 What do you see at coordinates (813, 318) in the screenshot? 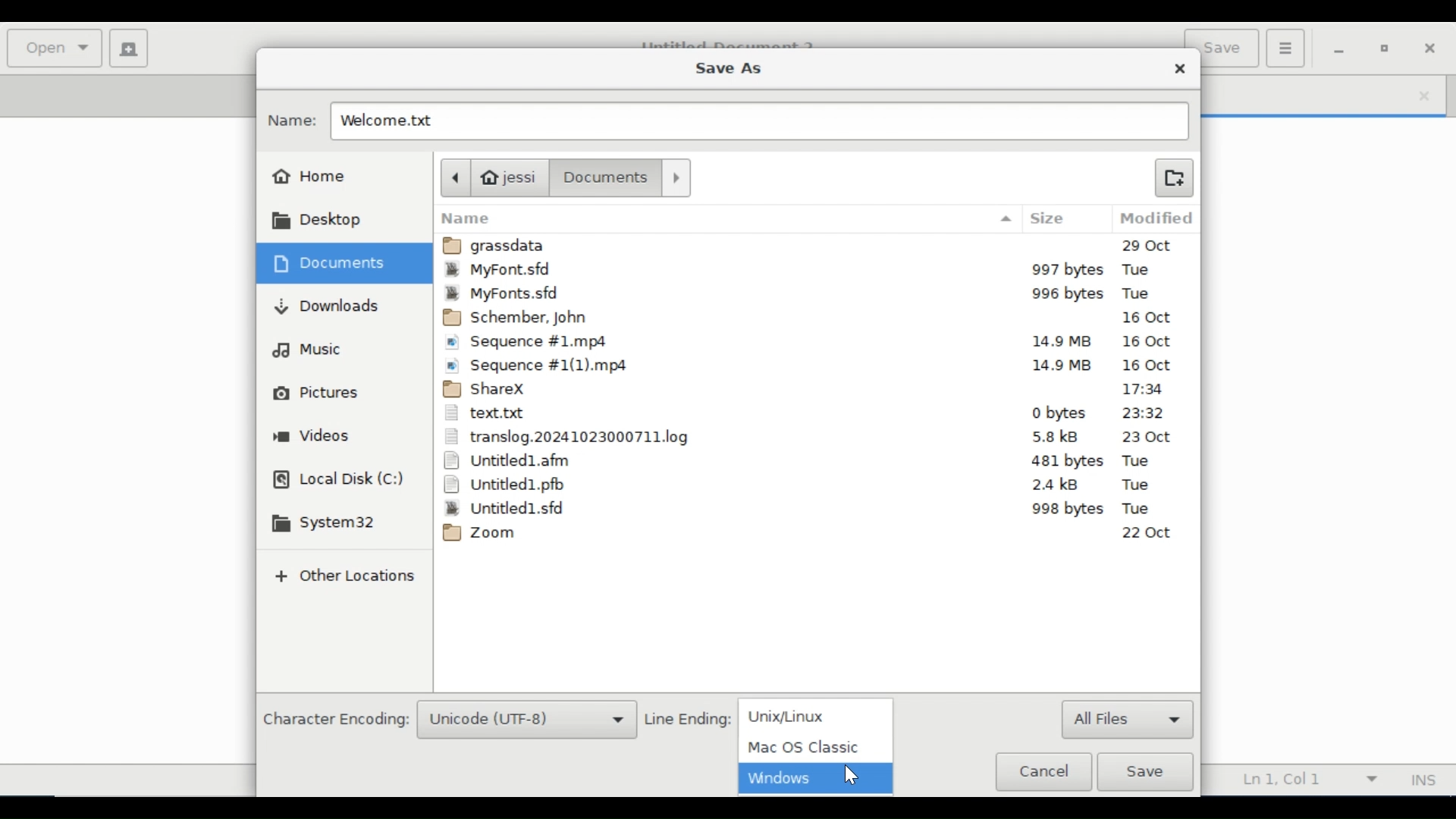
I see `Schember, John 16 Oct` at bounding box center [813, 318].